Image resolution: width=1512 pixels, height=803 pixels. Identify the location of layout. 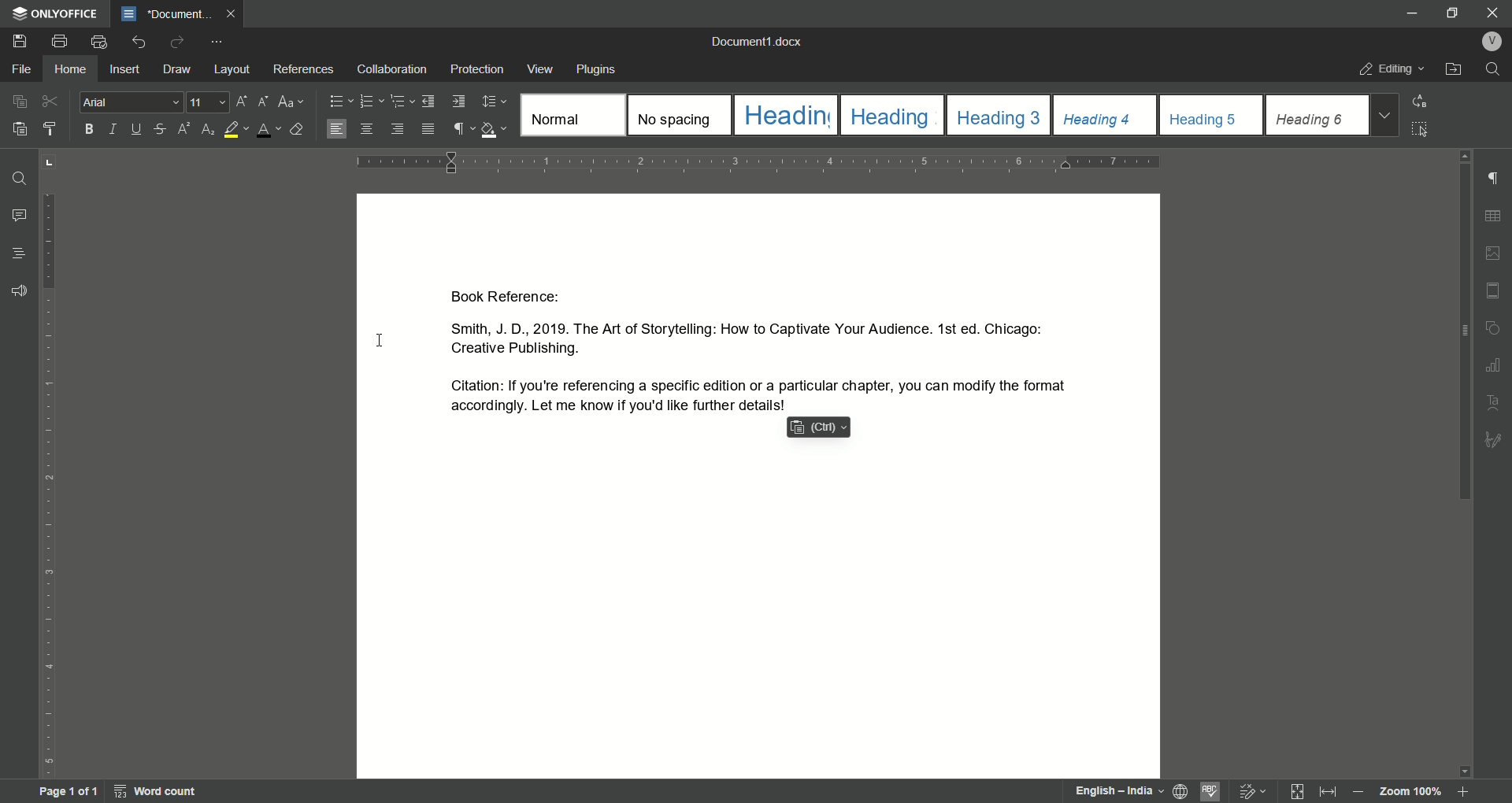
(233, 69).